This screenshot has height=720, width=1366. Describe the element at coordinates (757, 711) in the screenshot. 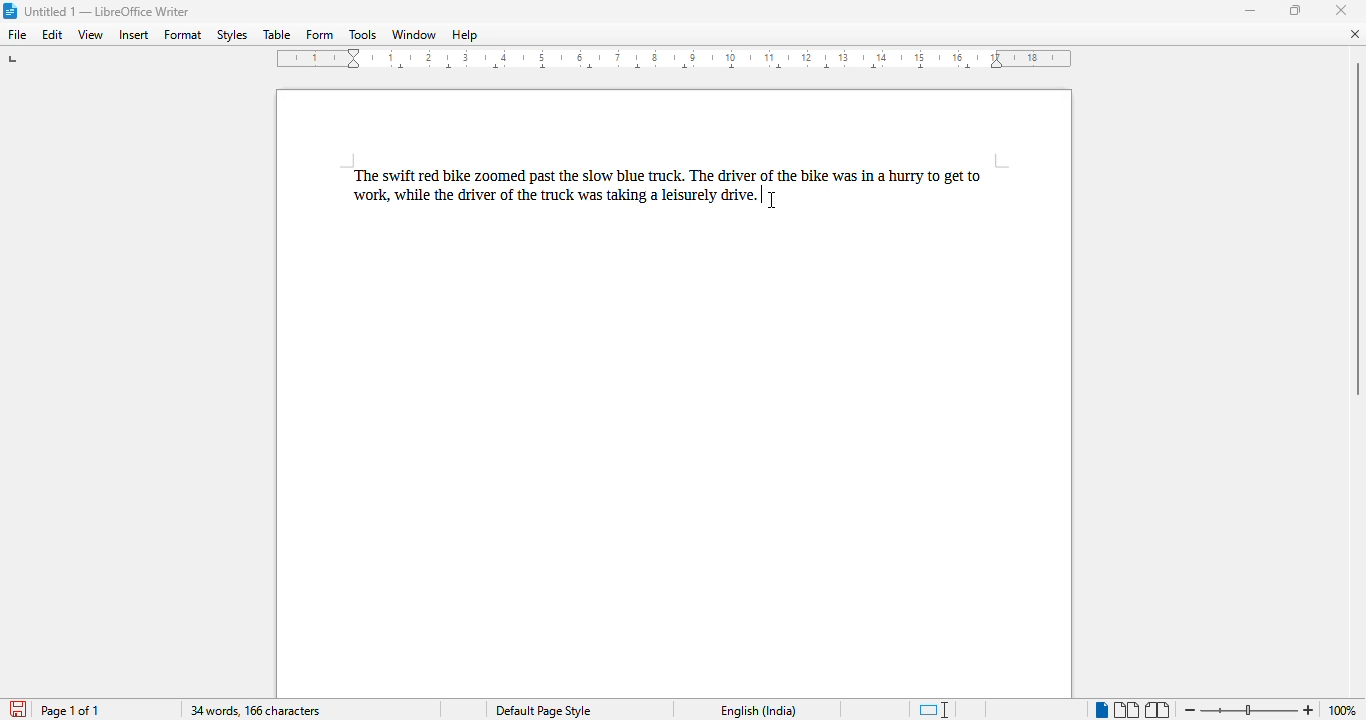

I see `English (India)` at that location.